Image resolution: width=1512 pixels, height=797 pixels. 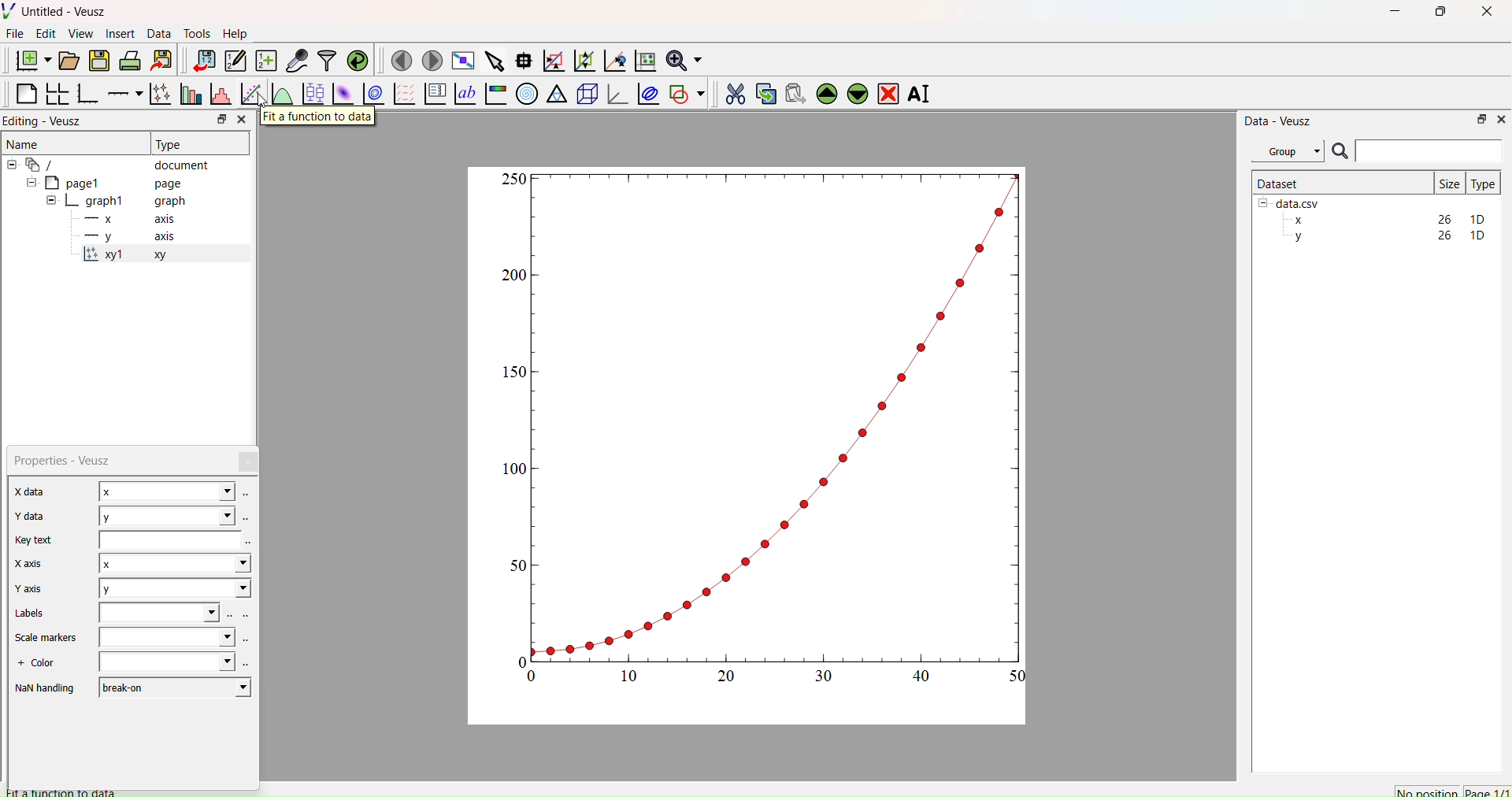 I want to click on Edit, so click(x=44, y=33).